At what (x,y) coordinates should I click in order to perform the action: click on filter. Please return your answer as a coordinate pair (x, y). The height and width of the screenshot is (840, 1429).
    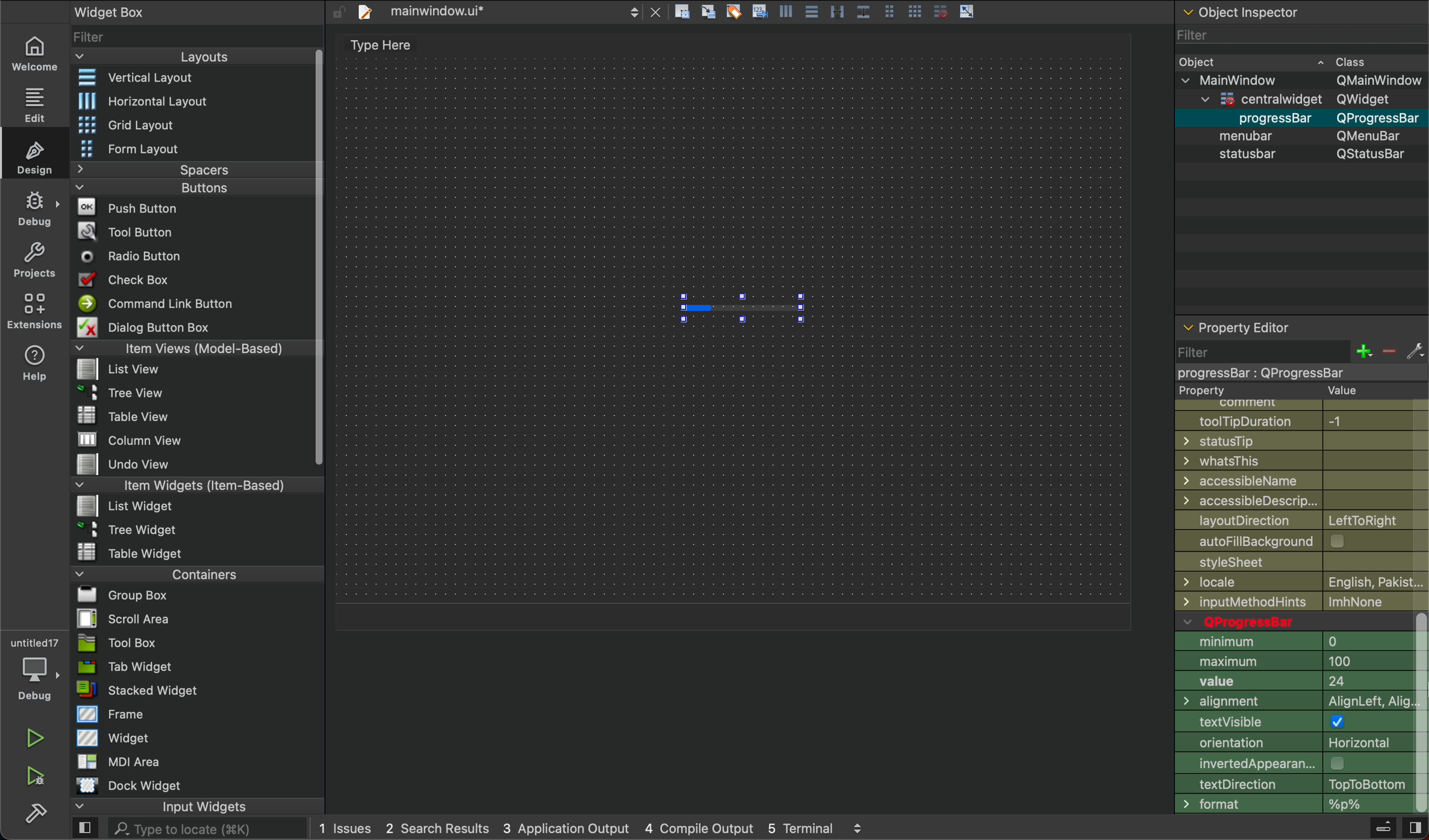
    Looking at the image, I should click on (1299, 360).